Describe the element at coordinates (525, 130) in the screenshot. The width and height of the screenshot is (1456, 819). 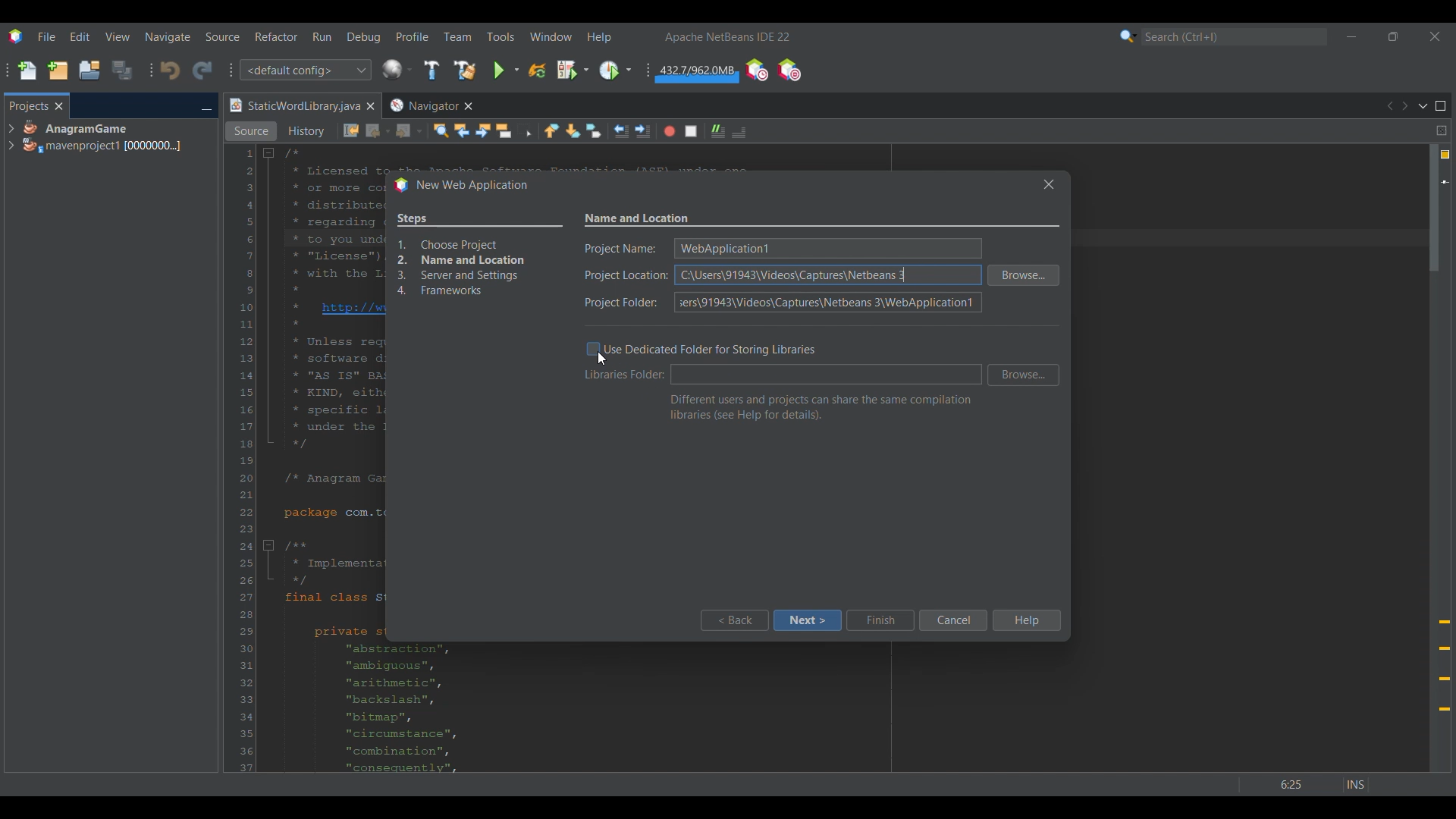
I see `Toggle rectangular selection` at that location.